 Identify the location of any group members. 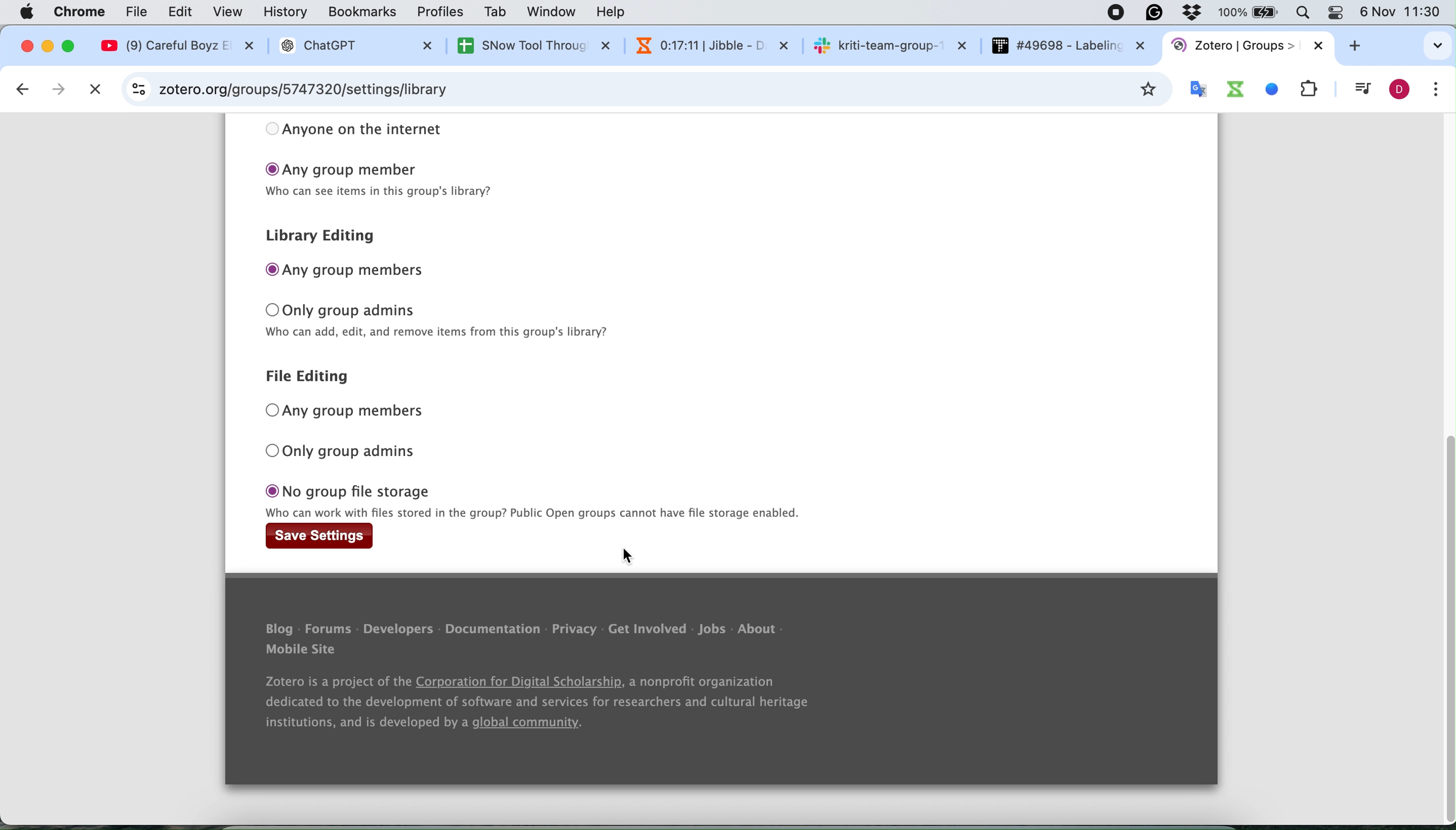
(345, 269).